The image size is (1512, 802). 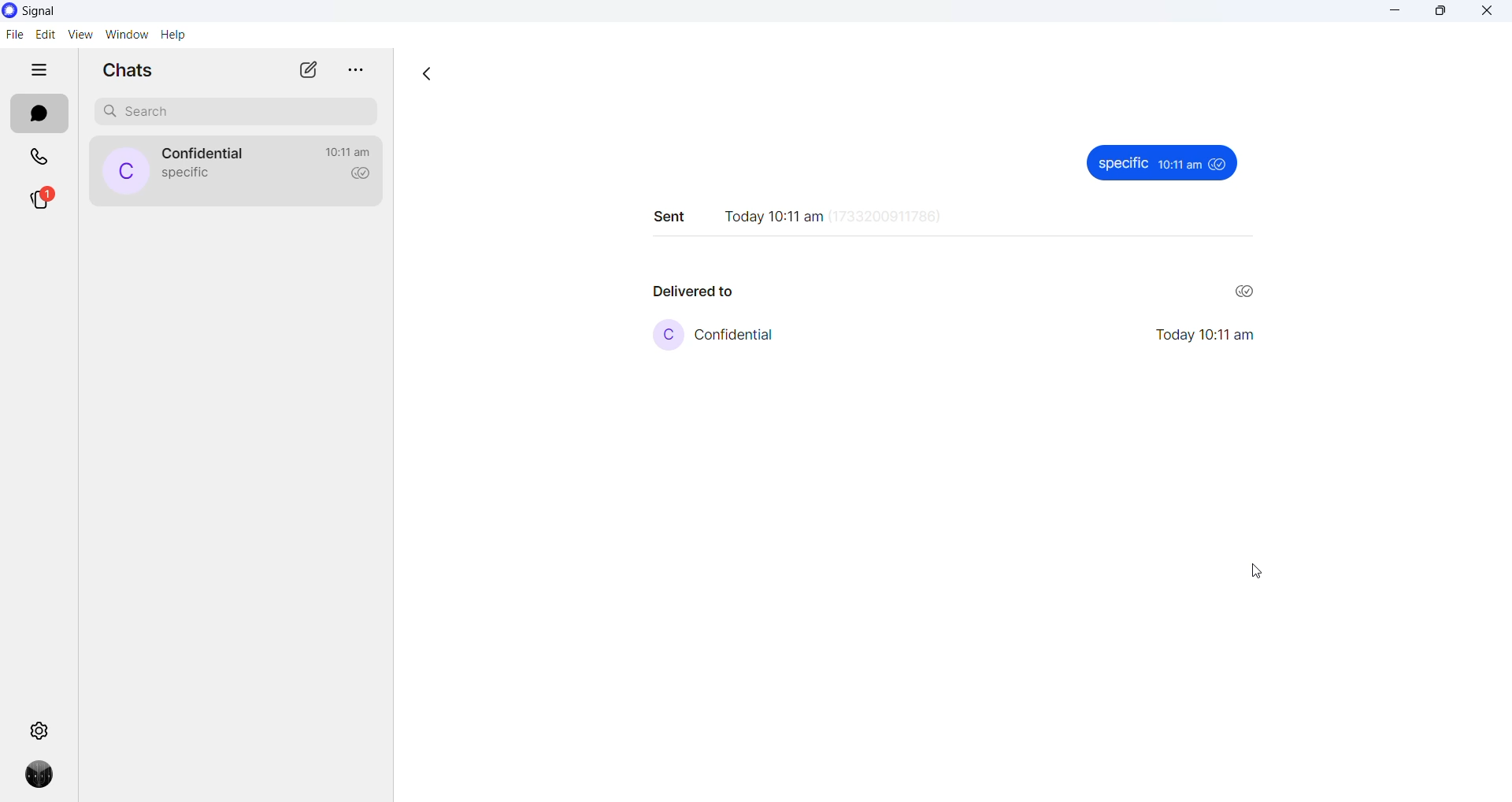 What do you see at coordinates (124, 70) in the screenshot?
I see `chats heading` at bounding box center [124, 70].